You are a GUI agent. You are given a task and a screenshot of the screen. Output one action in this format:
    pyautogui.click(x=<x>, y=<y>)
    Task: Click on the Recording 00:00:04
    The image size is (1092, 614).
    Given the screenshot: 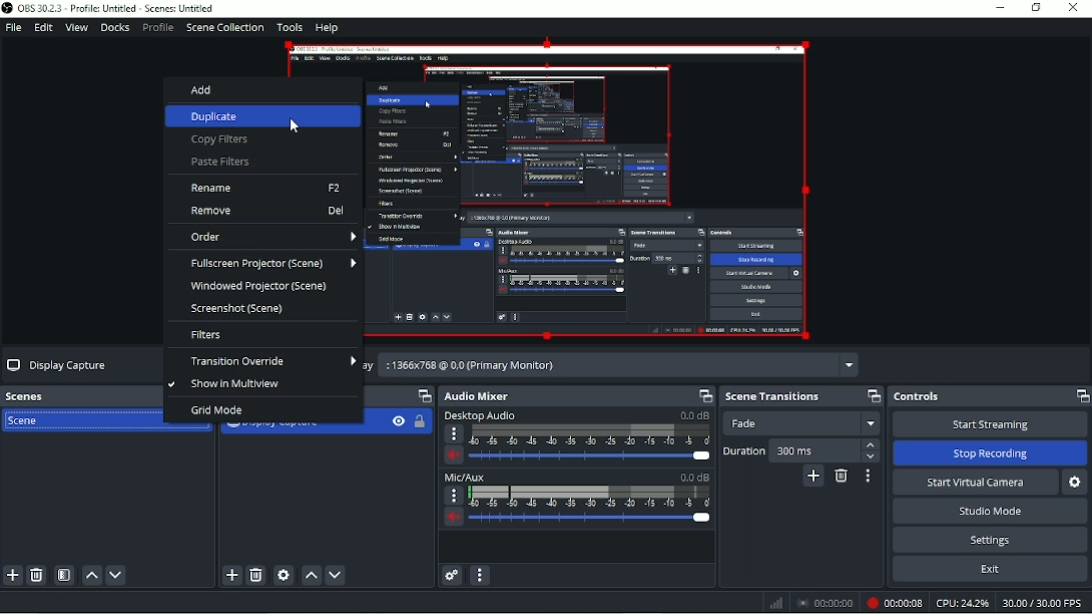 What is the action you would take?
    pyautogui.click(x=894, y=604)
    